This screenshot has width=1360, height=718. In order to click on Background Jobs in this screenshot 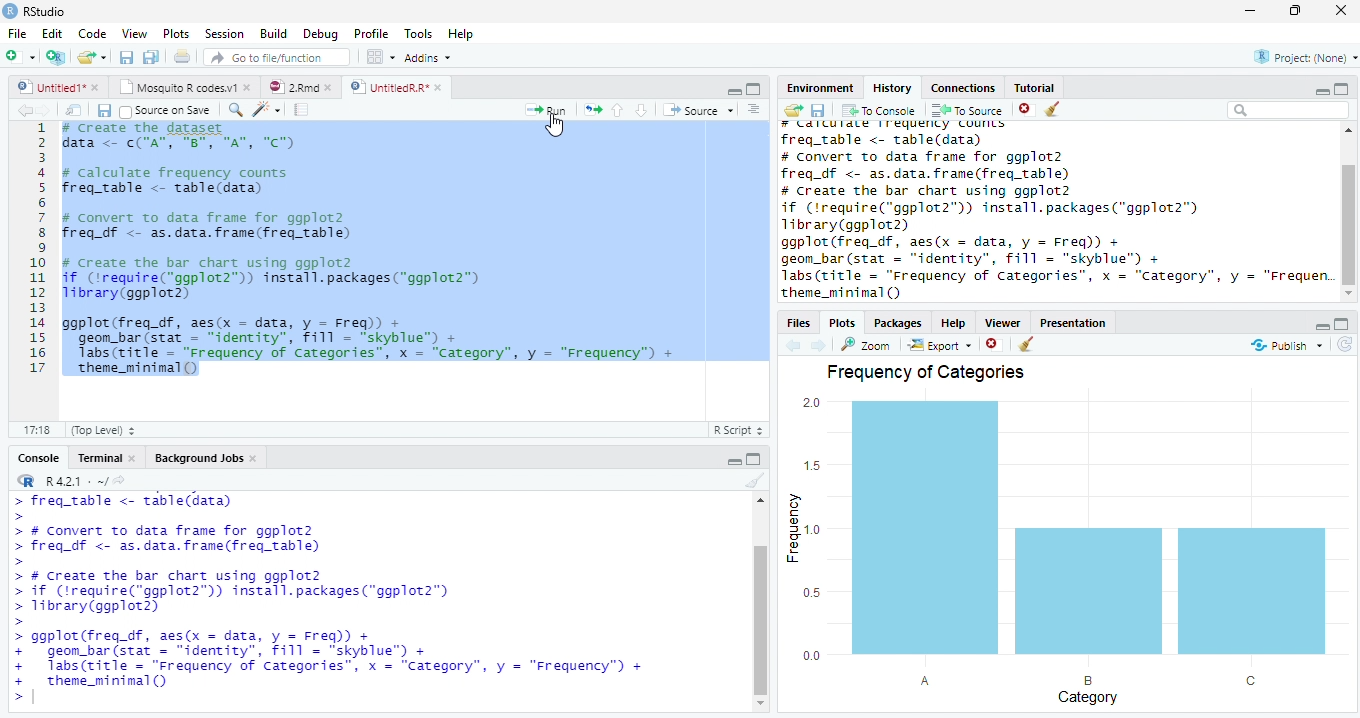, I will do `click(207, 457)`.